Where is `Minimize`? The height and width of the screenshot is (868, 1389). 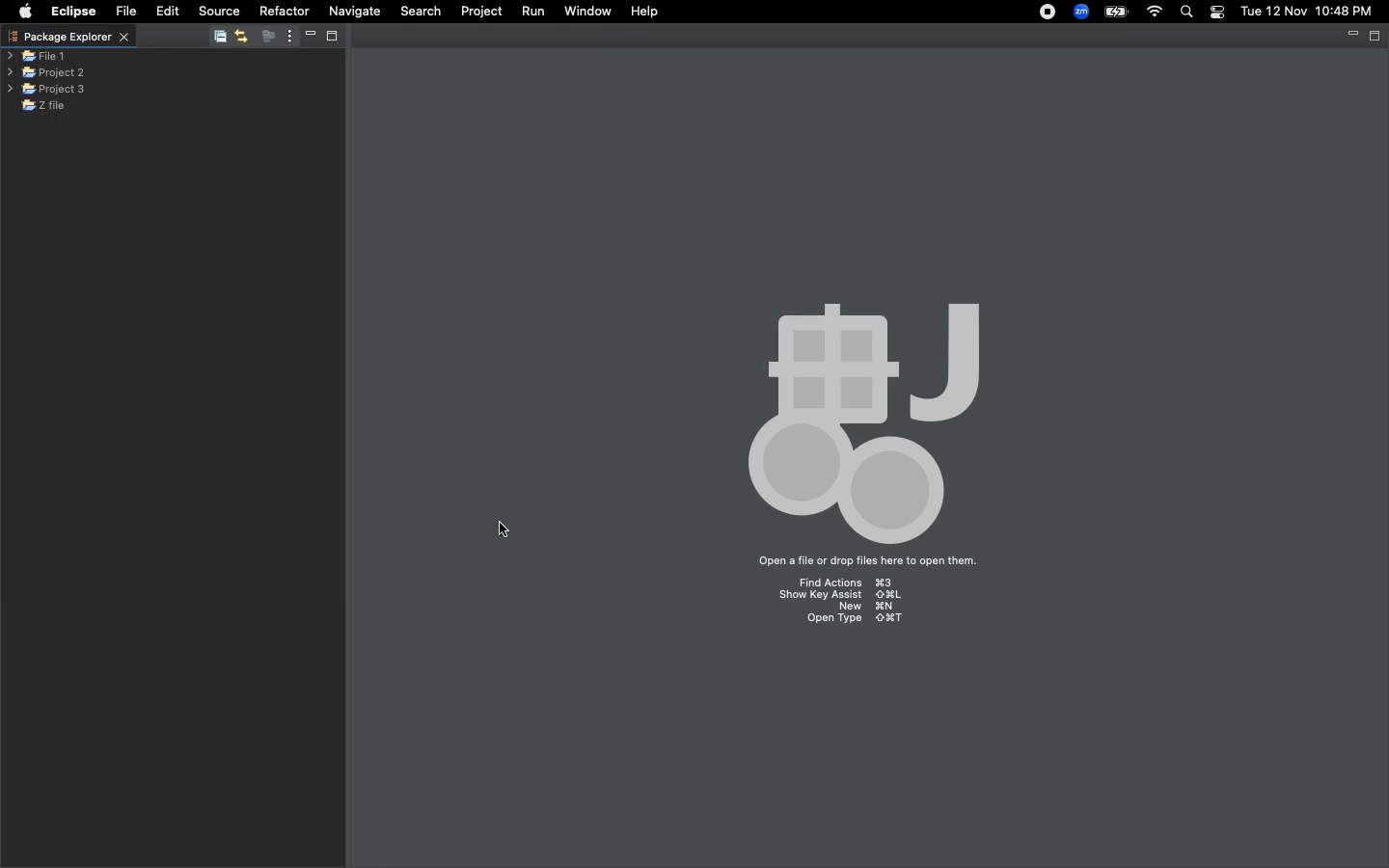
Minimize is located at coordinates (1348, 38).